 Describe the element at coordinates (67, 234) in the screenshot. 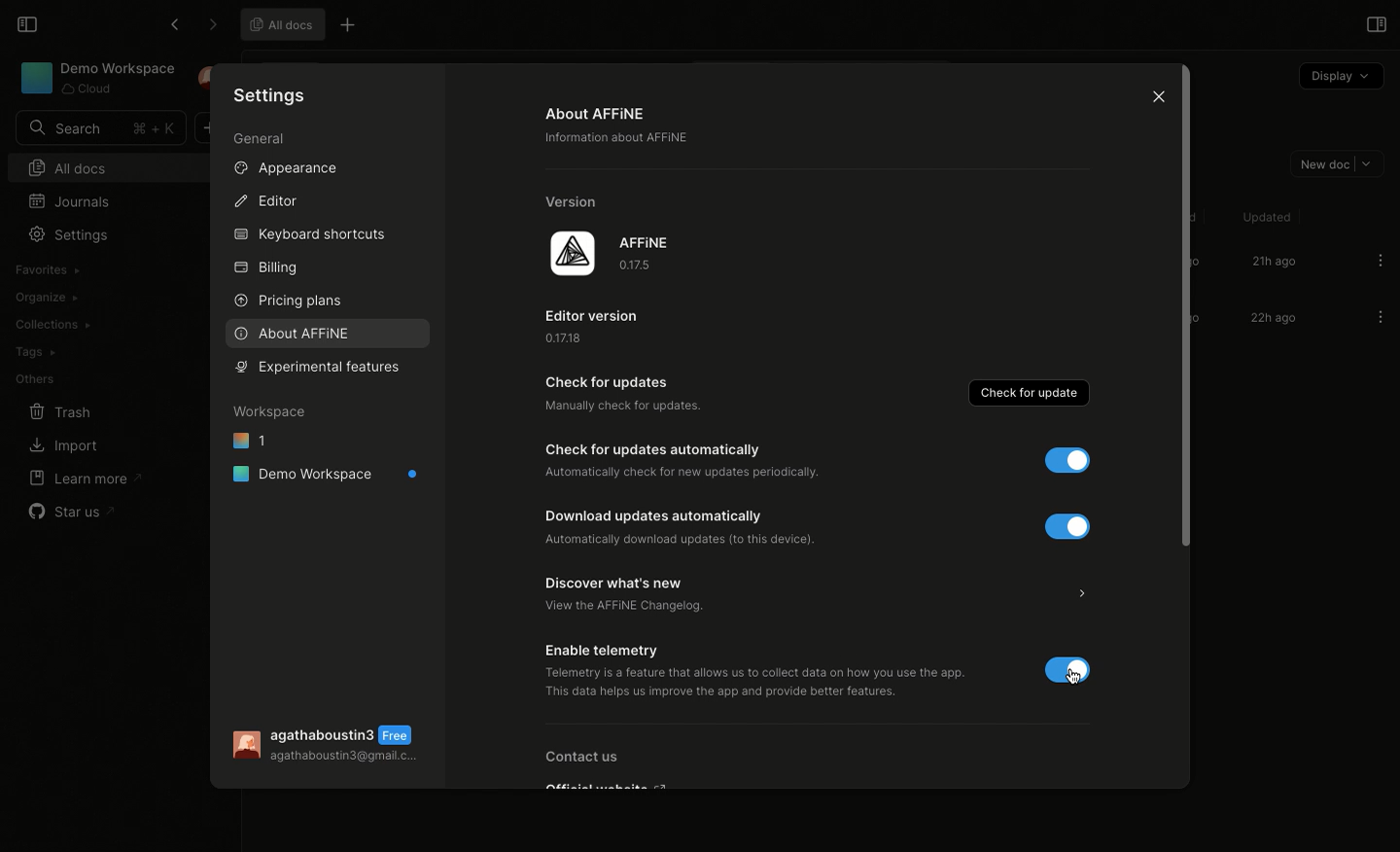

I see `Settings` at that location.